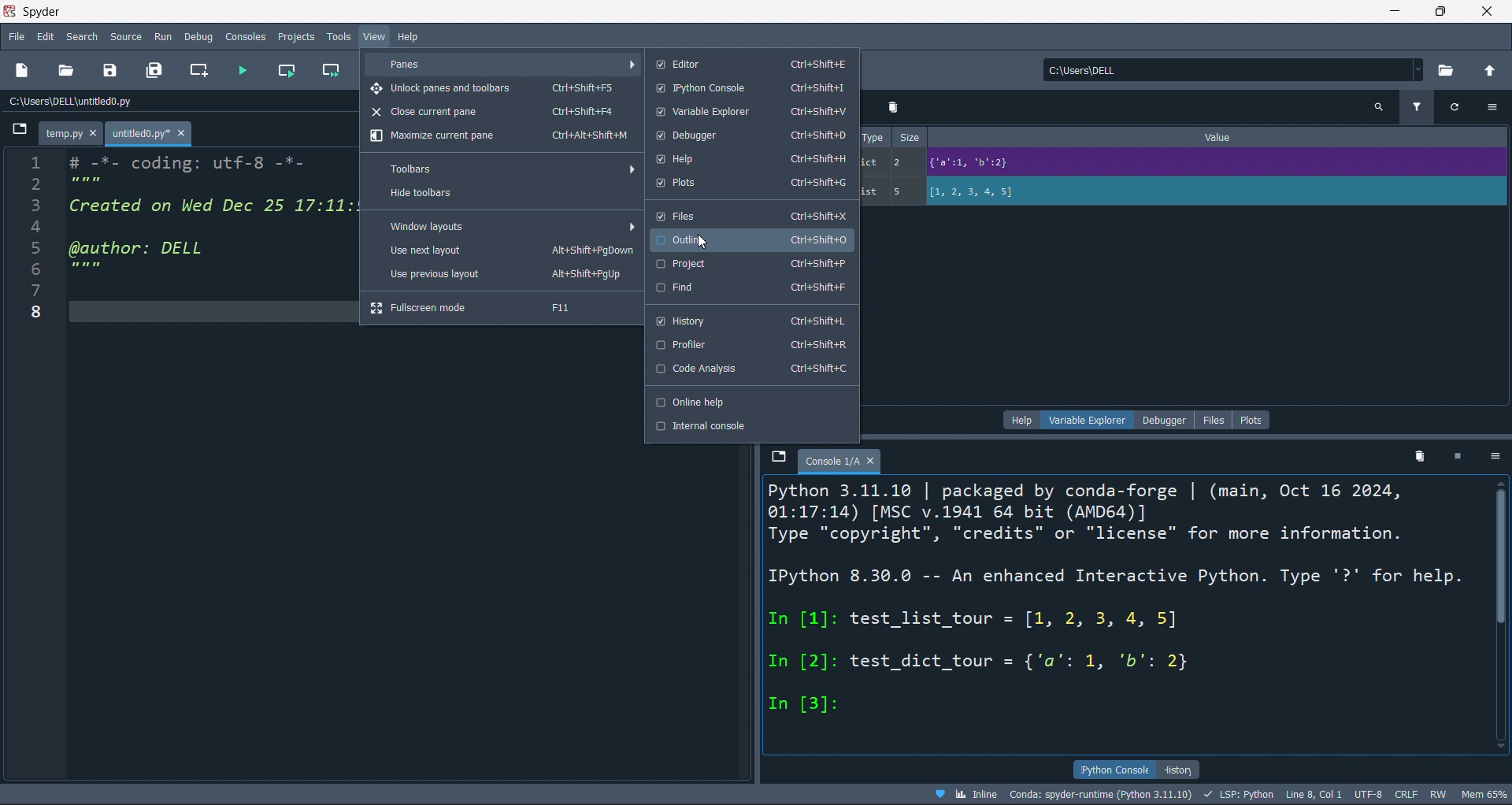 The height and width of the screenshot is (805, 1512). What do you see at coordinates (1114, 770) in the screenshot?
I see `ipython console` at bounding box center [1114, 770].